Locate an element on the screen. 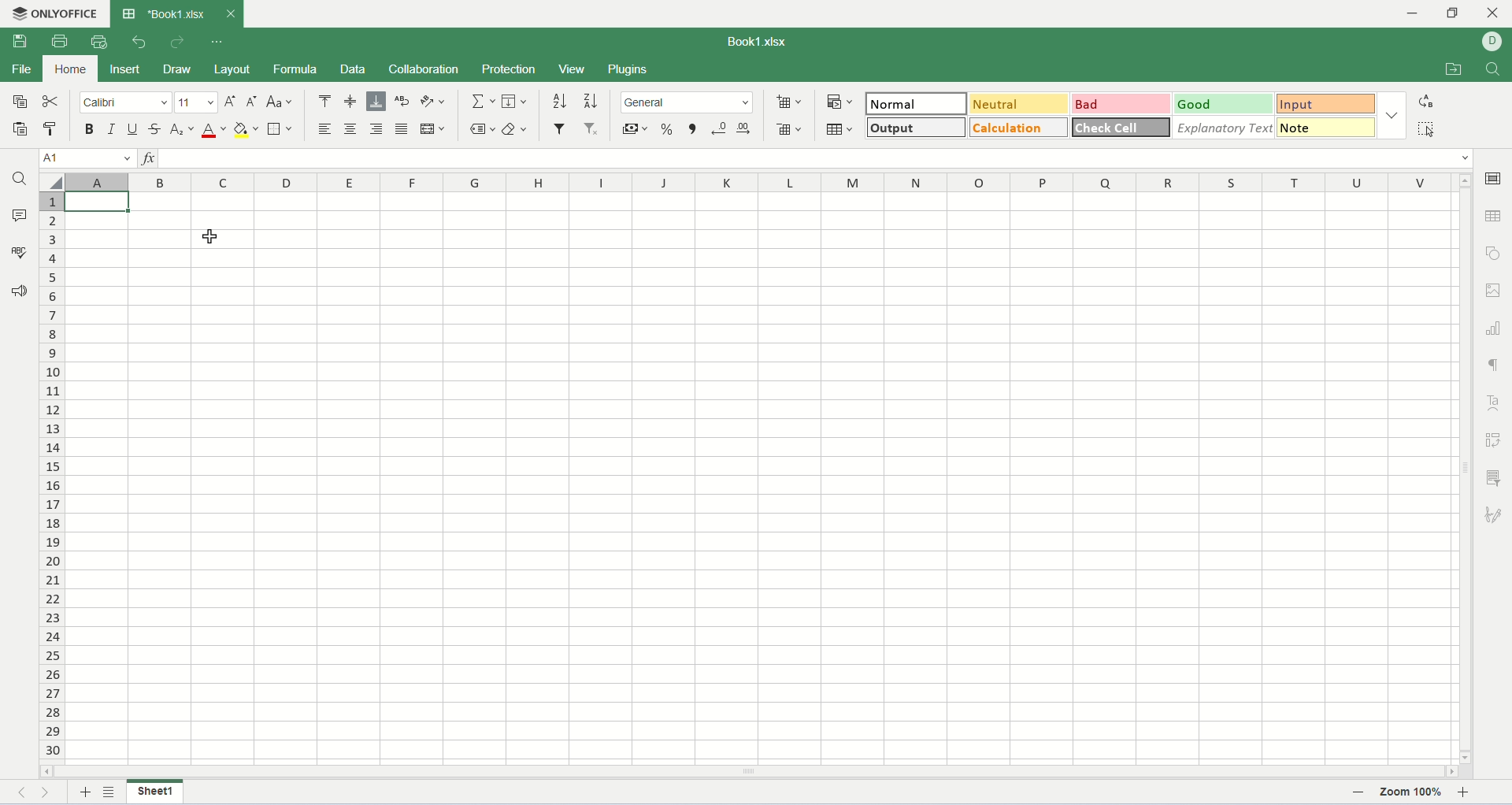  insert function is located at coordinates (149, 158).